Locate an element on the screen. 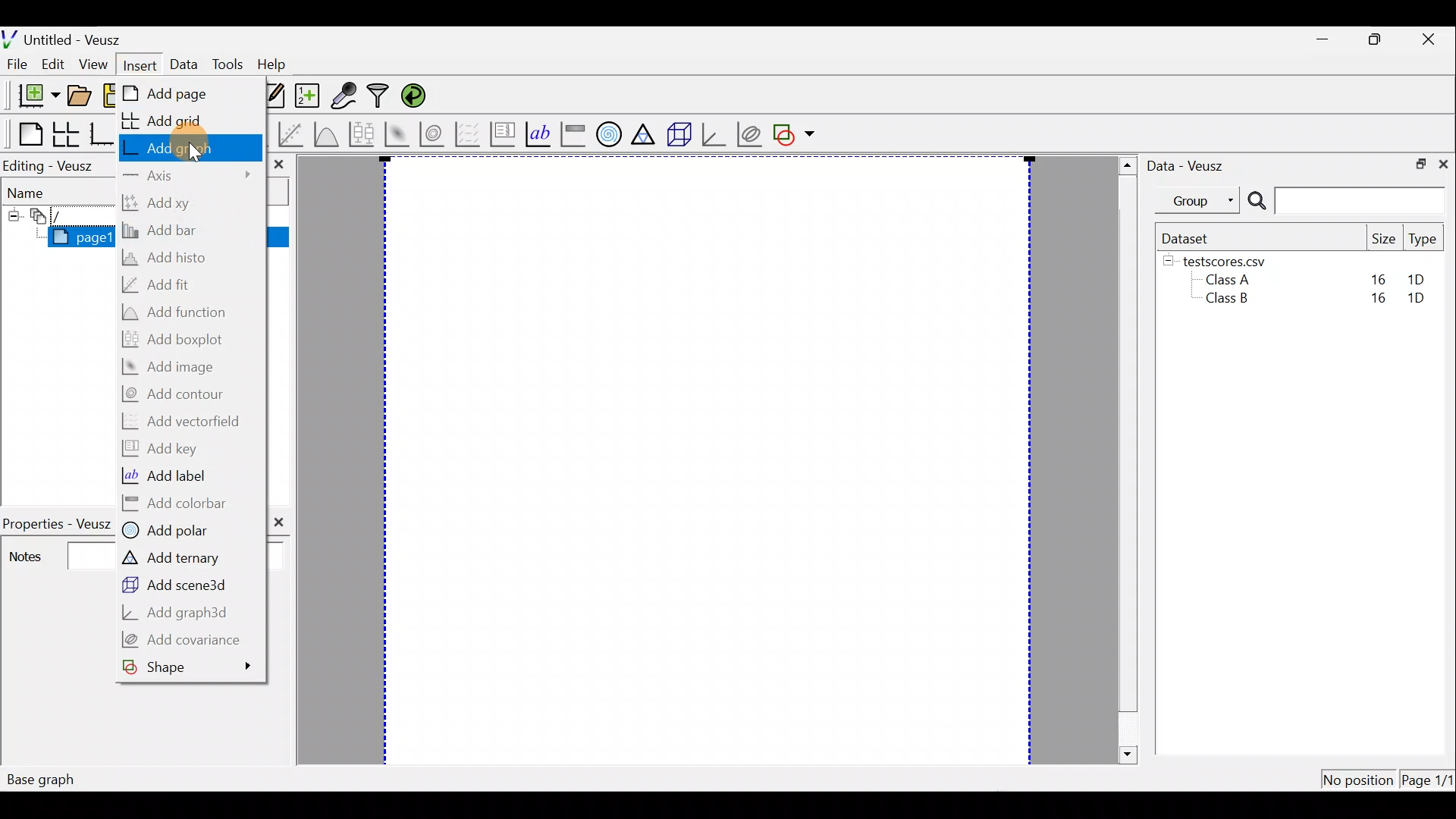 This screenshot has width=1456, height=819. Add graph is located at coordinates (185, 147).